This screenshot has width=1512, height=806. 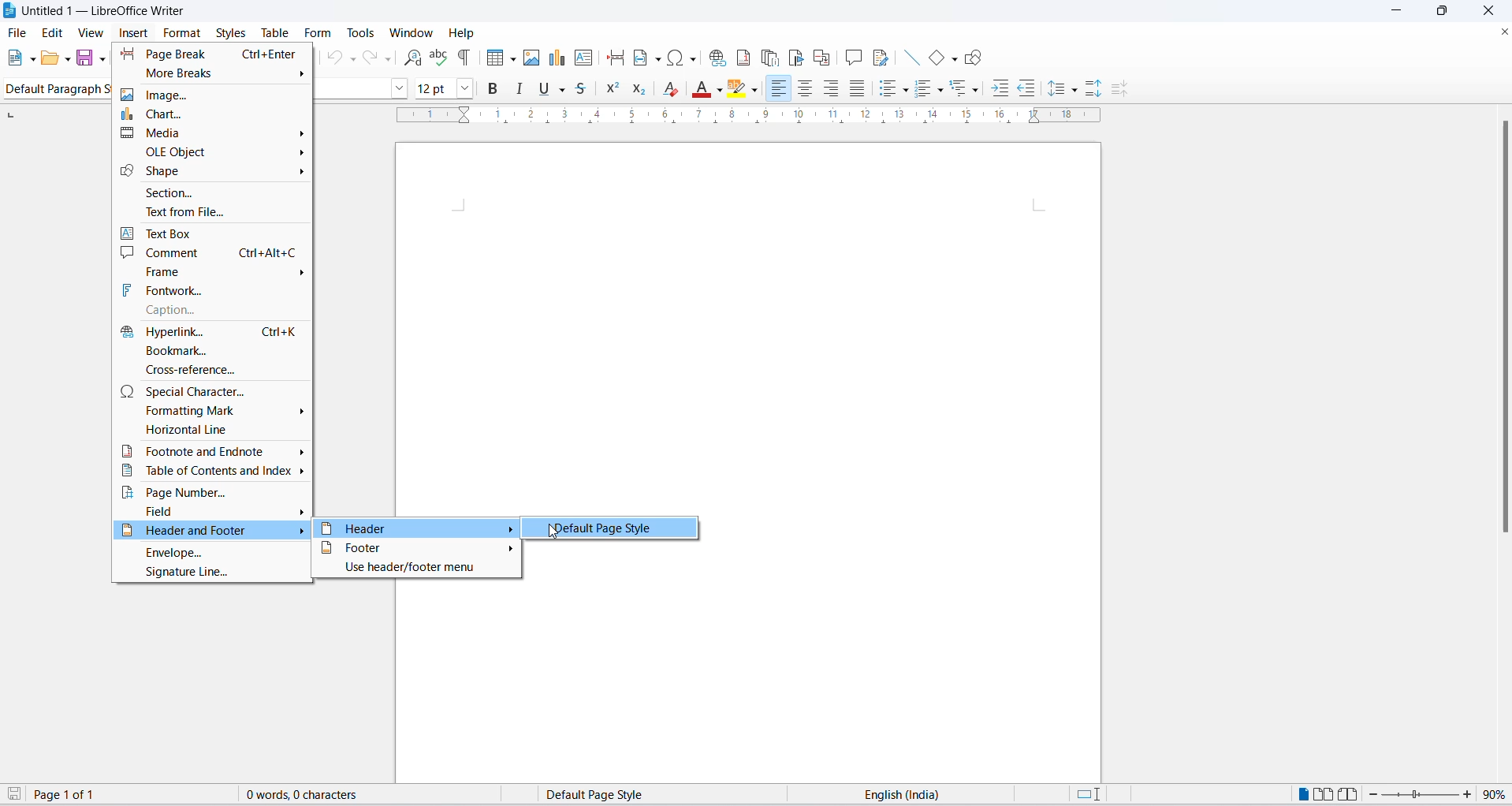 I want to click on table, so click(x=273, y=32).